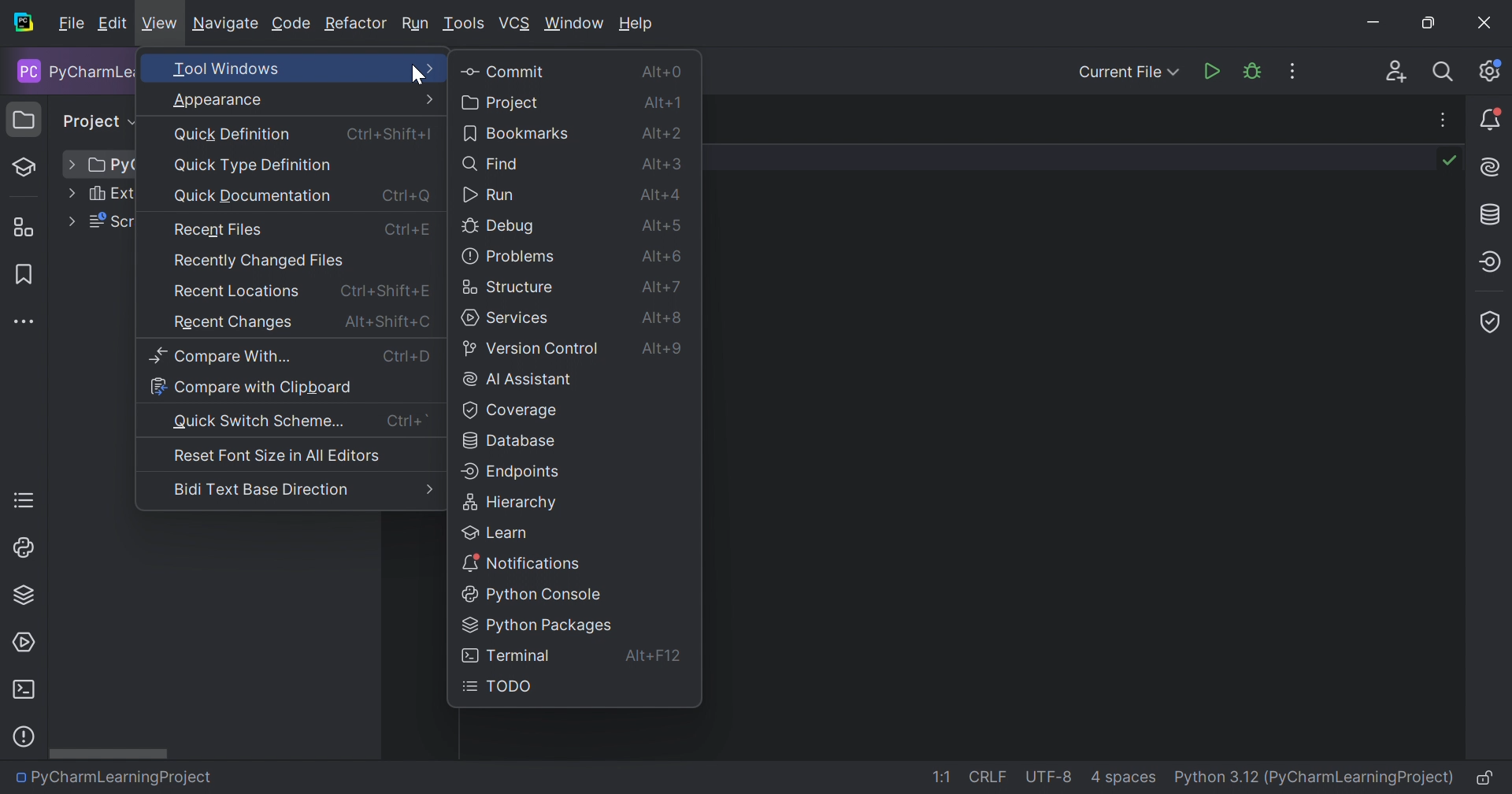  I want to click on Cursor, so click(420, 75).